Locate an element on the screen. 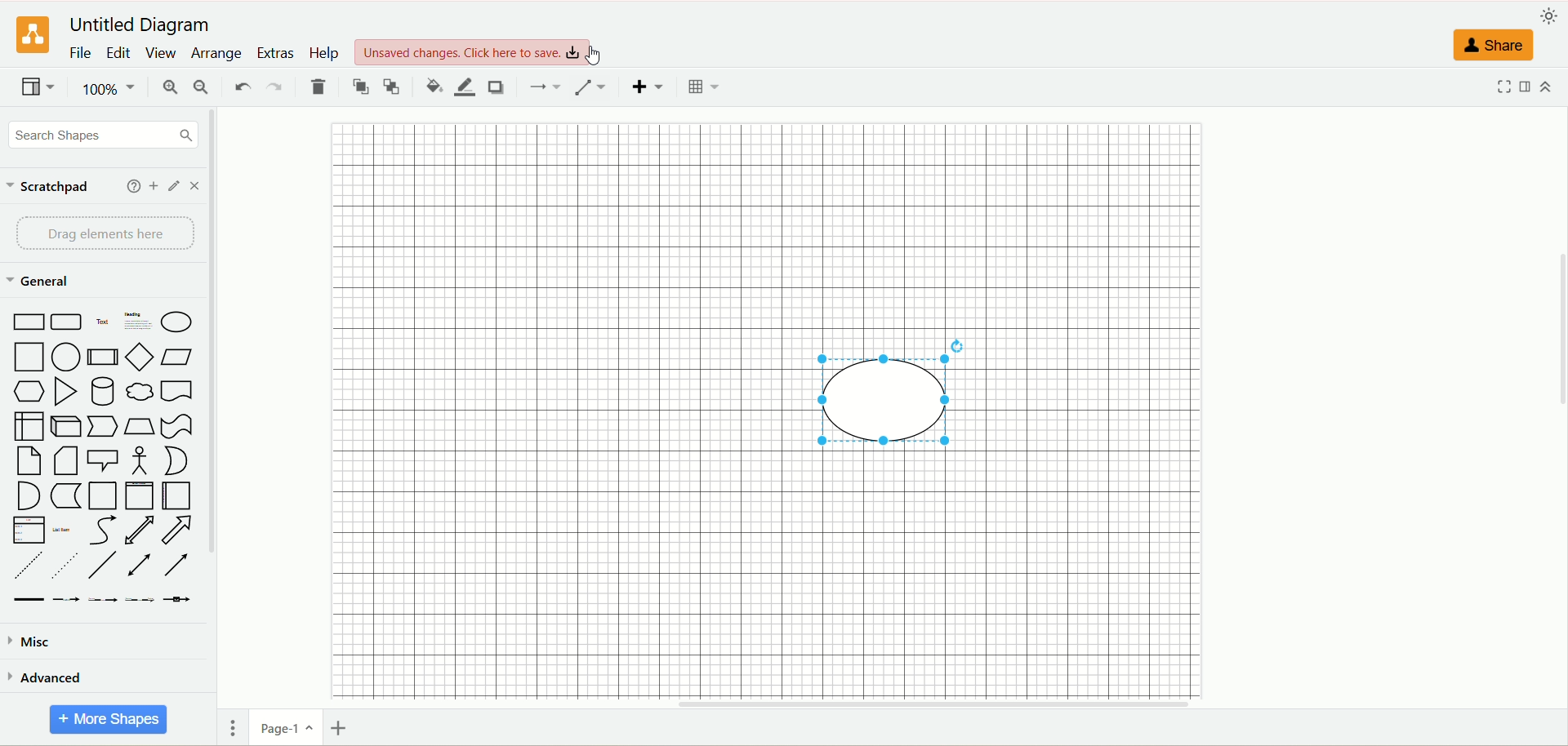 The width and height of the screenshot is (1568, 746). appearance is located at coordinates (1552, 16).